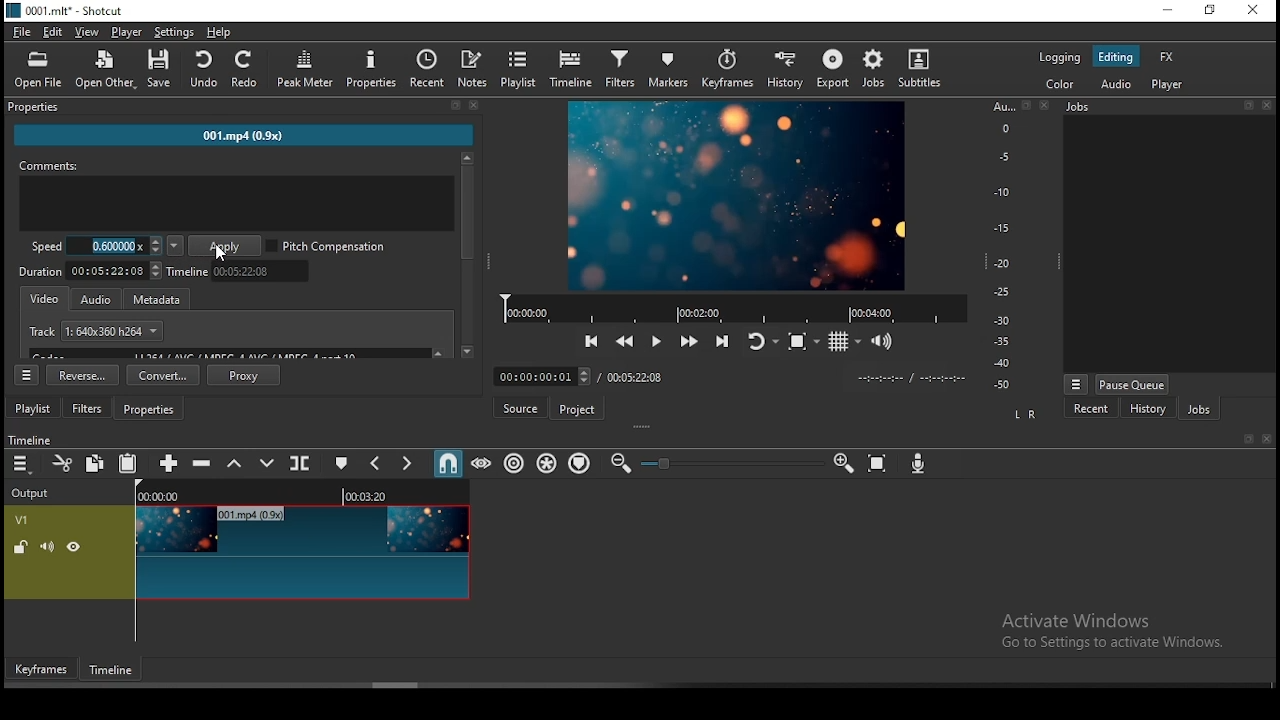 The width and height of the screenshot is (1280, 720). I want to click on zoom in or zoom out slider, so click(727, 462).